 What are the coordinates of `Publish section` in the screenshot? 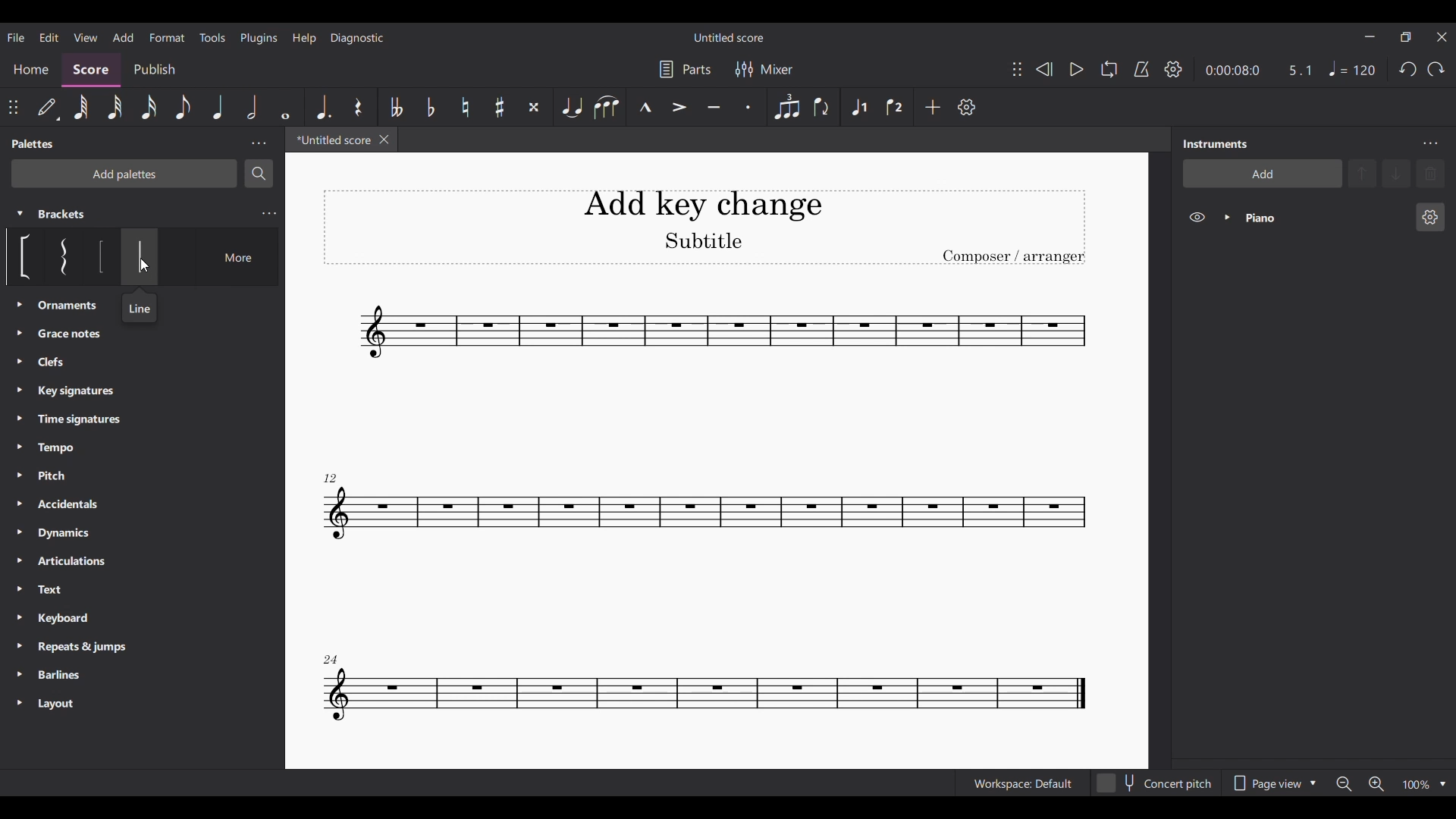 It's located at (154, 70).